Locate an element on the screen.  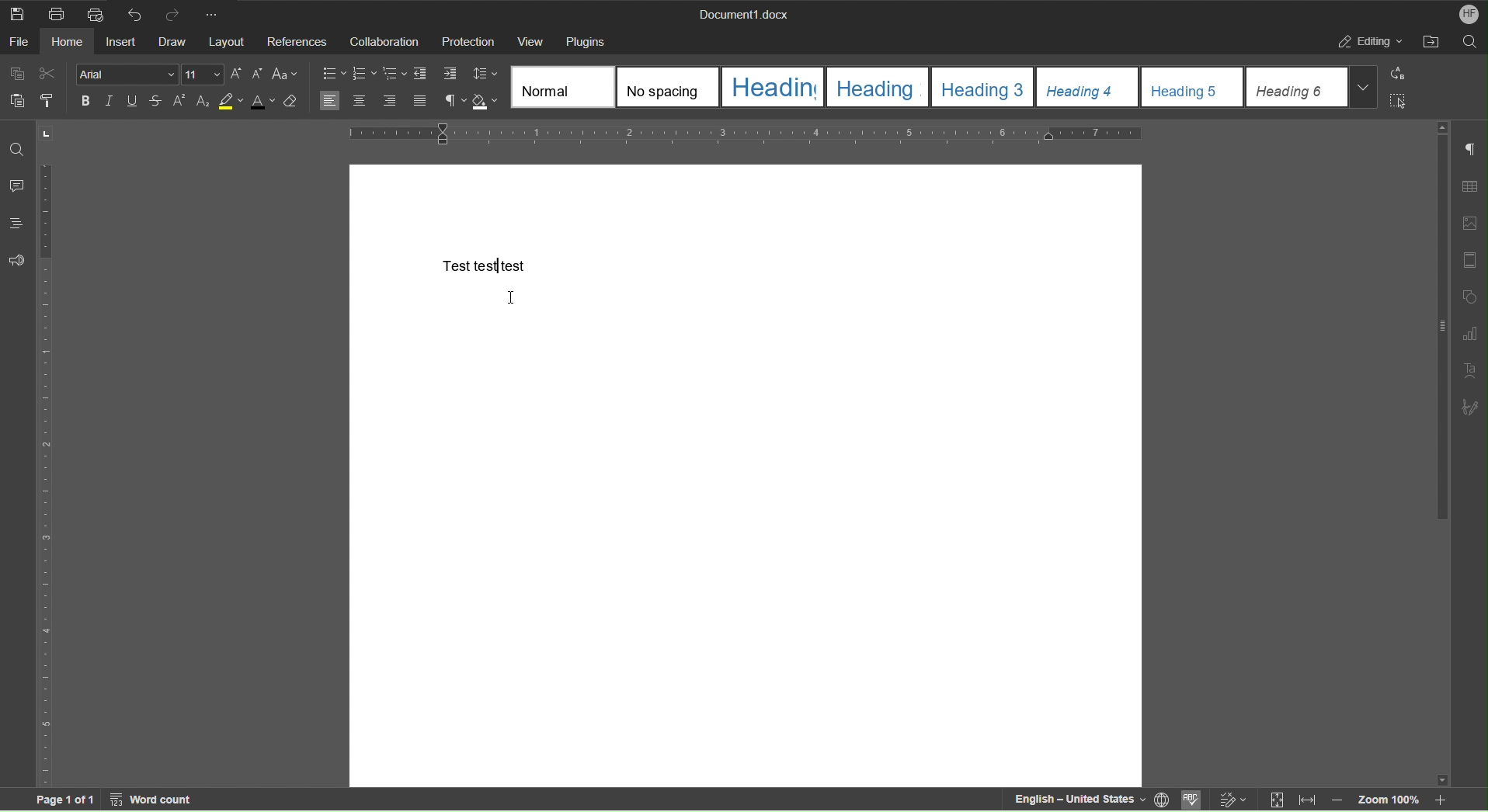
Heading 6 is located at coordinates (1312, 87).